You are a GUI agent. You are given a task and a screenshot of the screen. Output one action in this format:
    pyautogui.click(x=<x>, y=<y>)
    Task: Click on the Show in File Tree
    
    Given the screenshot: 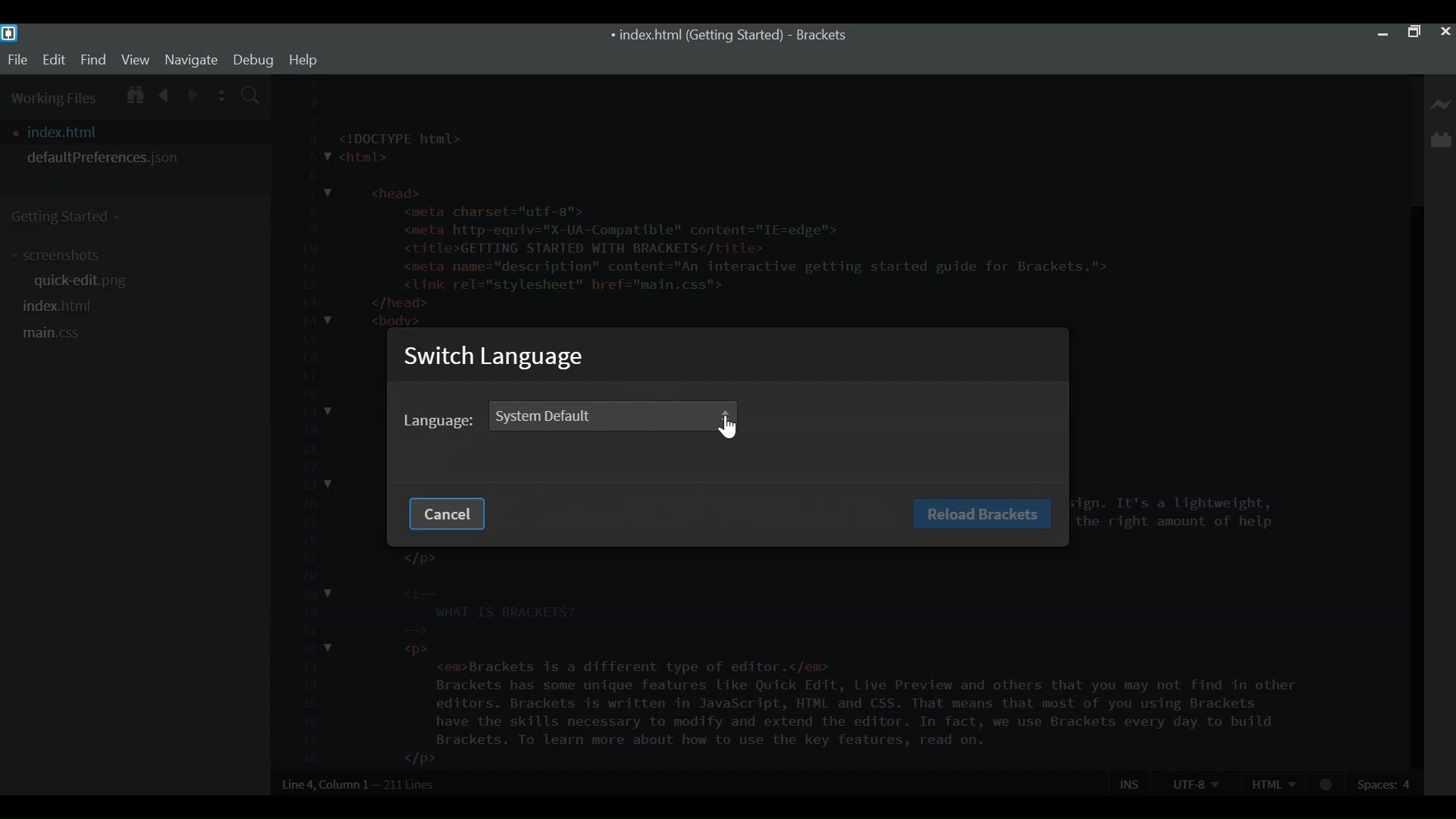 What is the action you would take?
    pyautogui.click(x=133, y=93)
    